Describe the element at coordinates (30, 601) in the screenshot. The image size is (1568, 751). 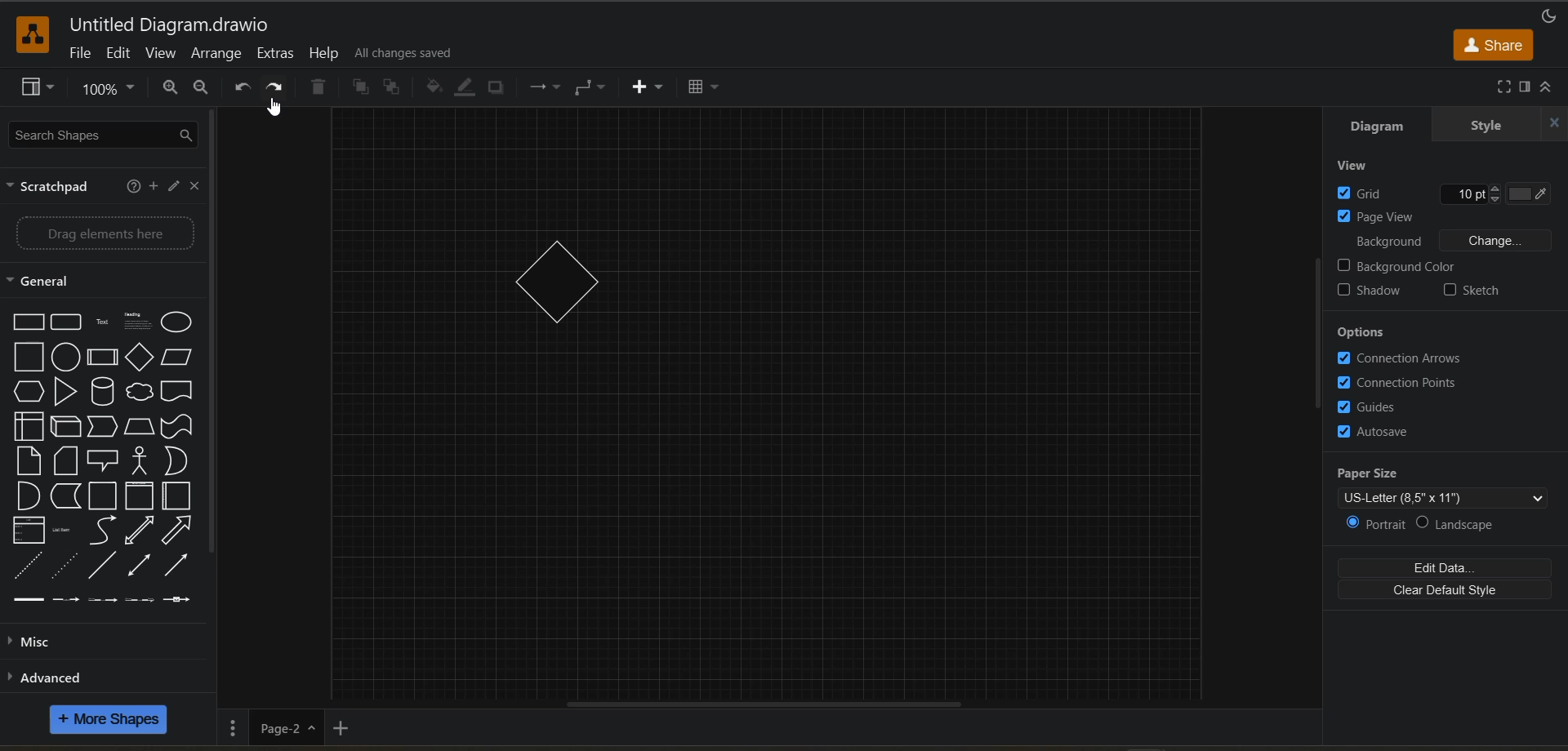
I see `link` at that location.